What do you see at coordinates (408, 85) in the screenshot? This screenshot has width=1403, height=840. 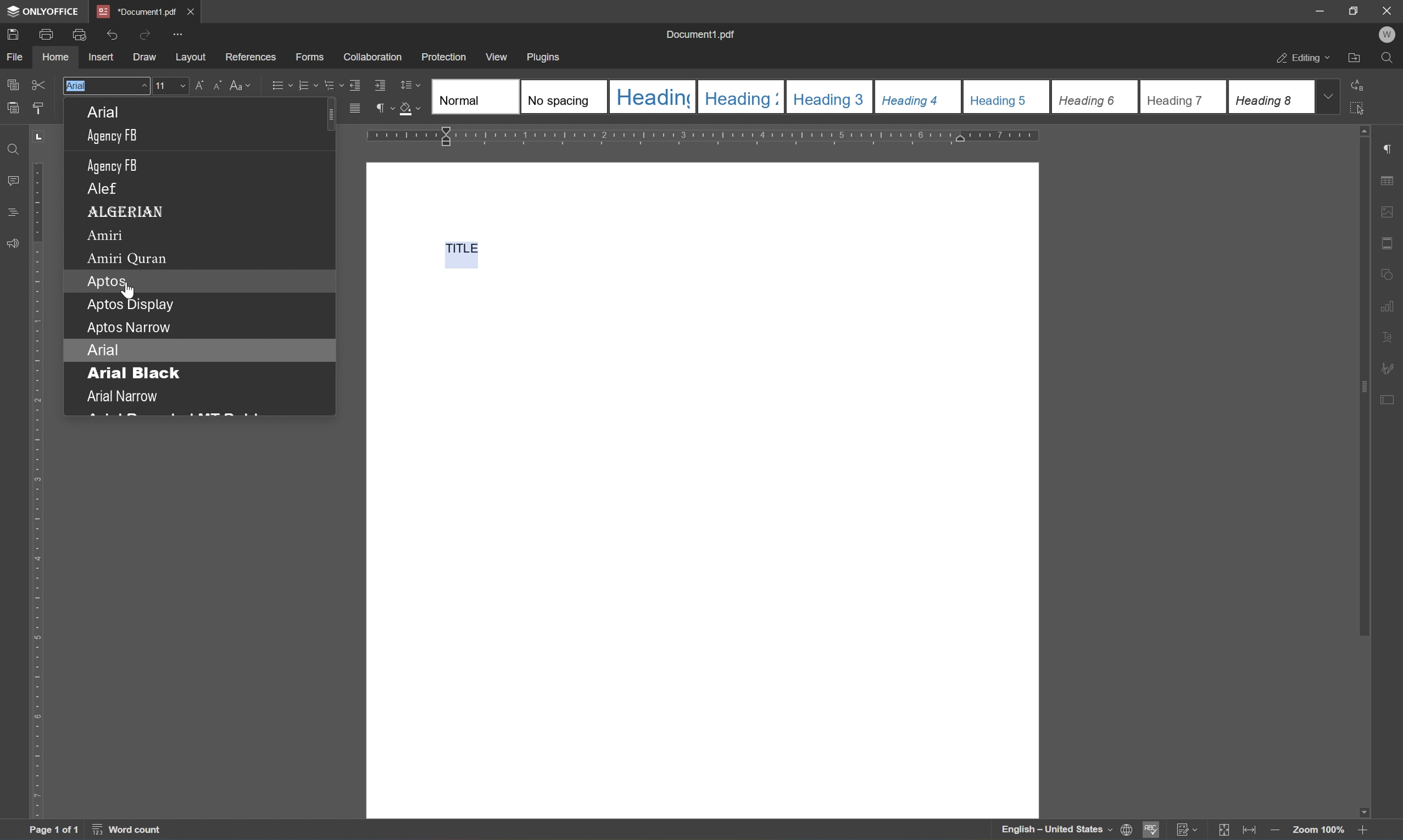 I see `line spacing` at bounding box center [408, 85].